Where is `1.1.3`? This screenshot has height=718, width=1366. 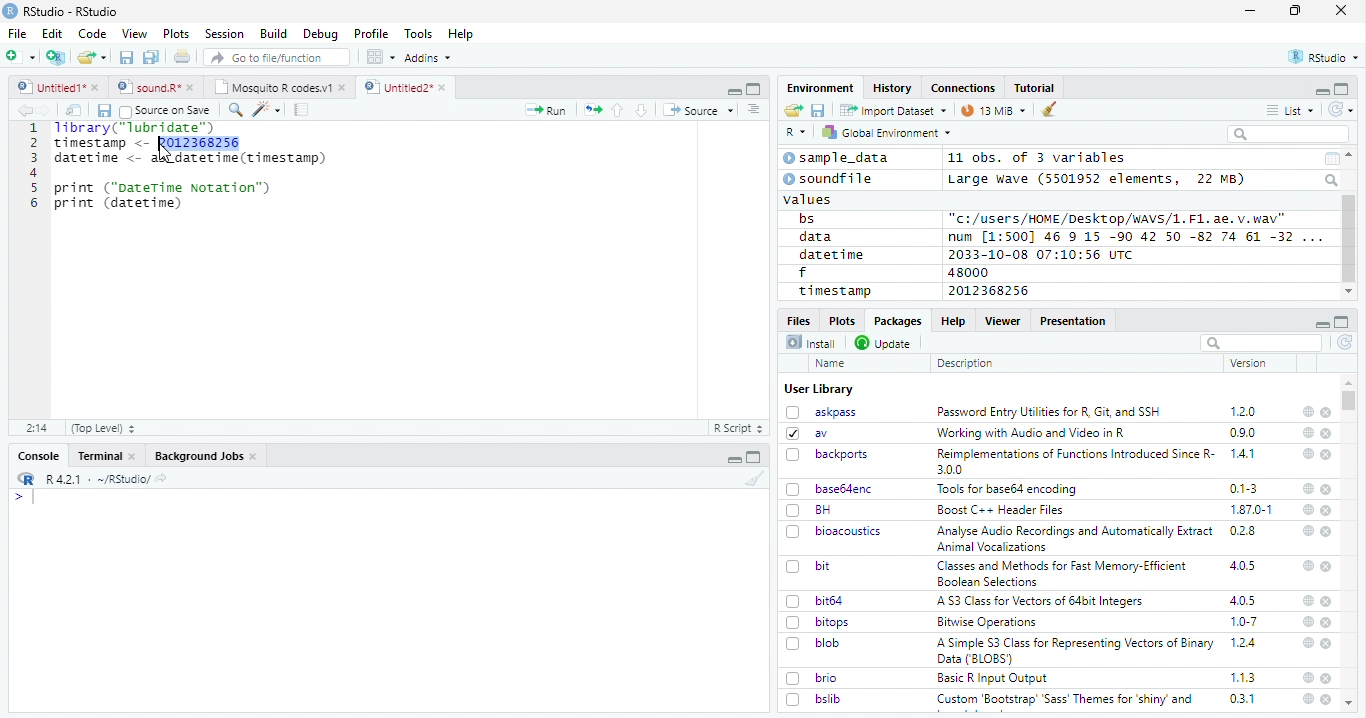
1.1.3 is located at coordinates (1243, 677).